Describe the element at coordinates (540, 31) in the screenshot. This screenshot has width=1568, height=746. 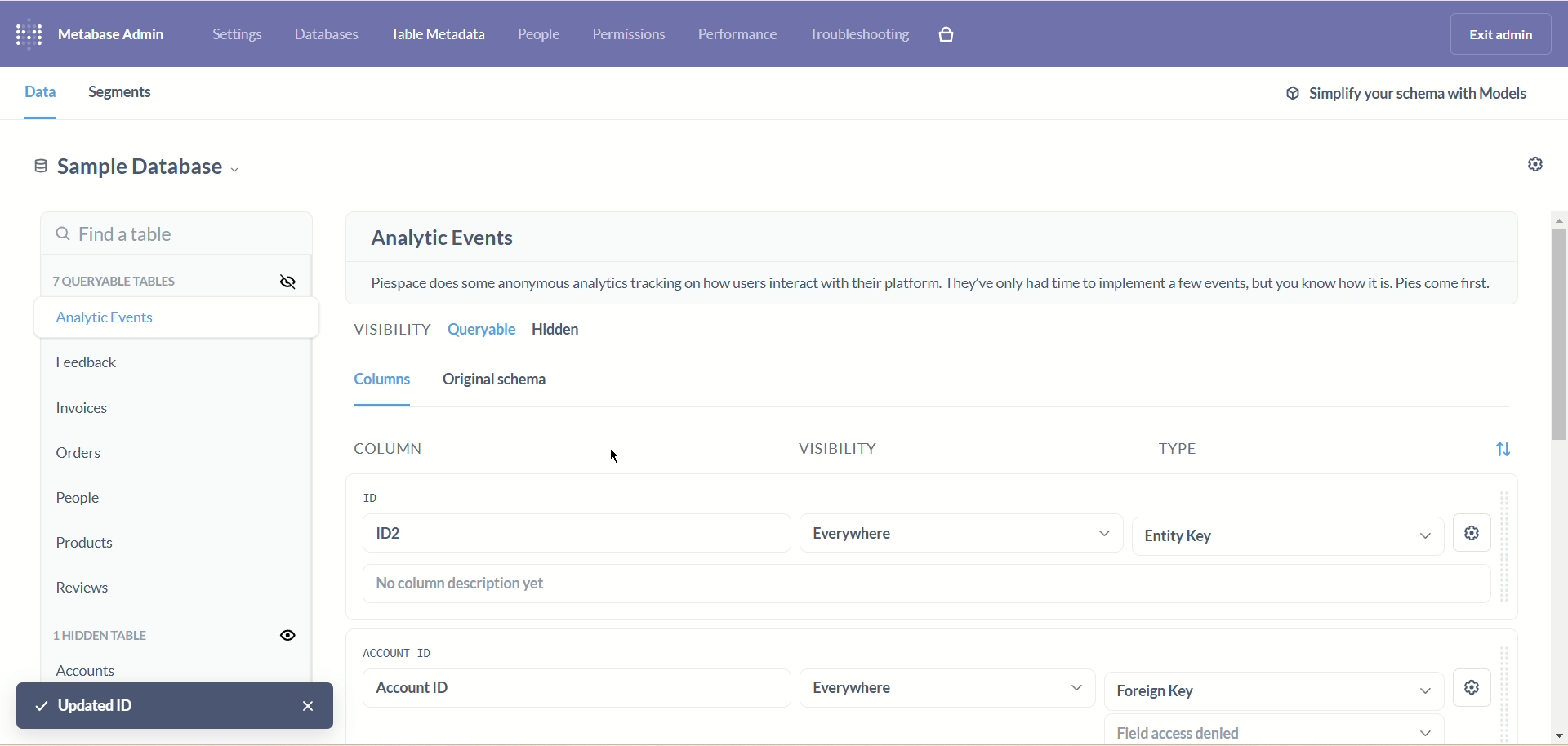
I see `People` at that location.